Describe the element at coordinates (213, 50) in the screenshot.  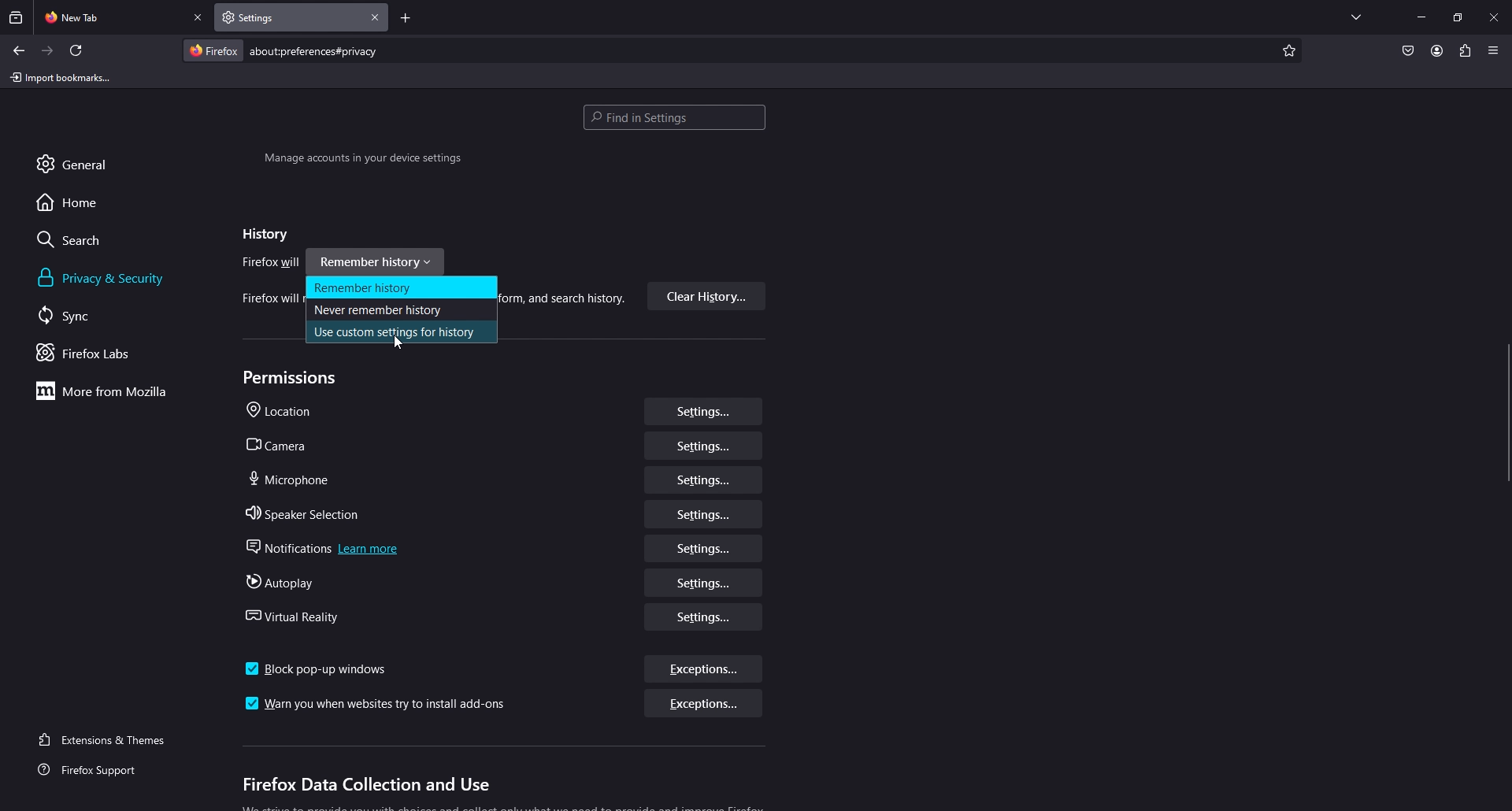
I see `firefox logo` at that location.